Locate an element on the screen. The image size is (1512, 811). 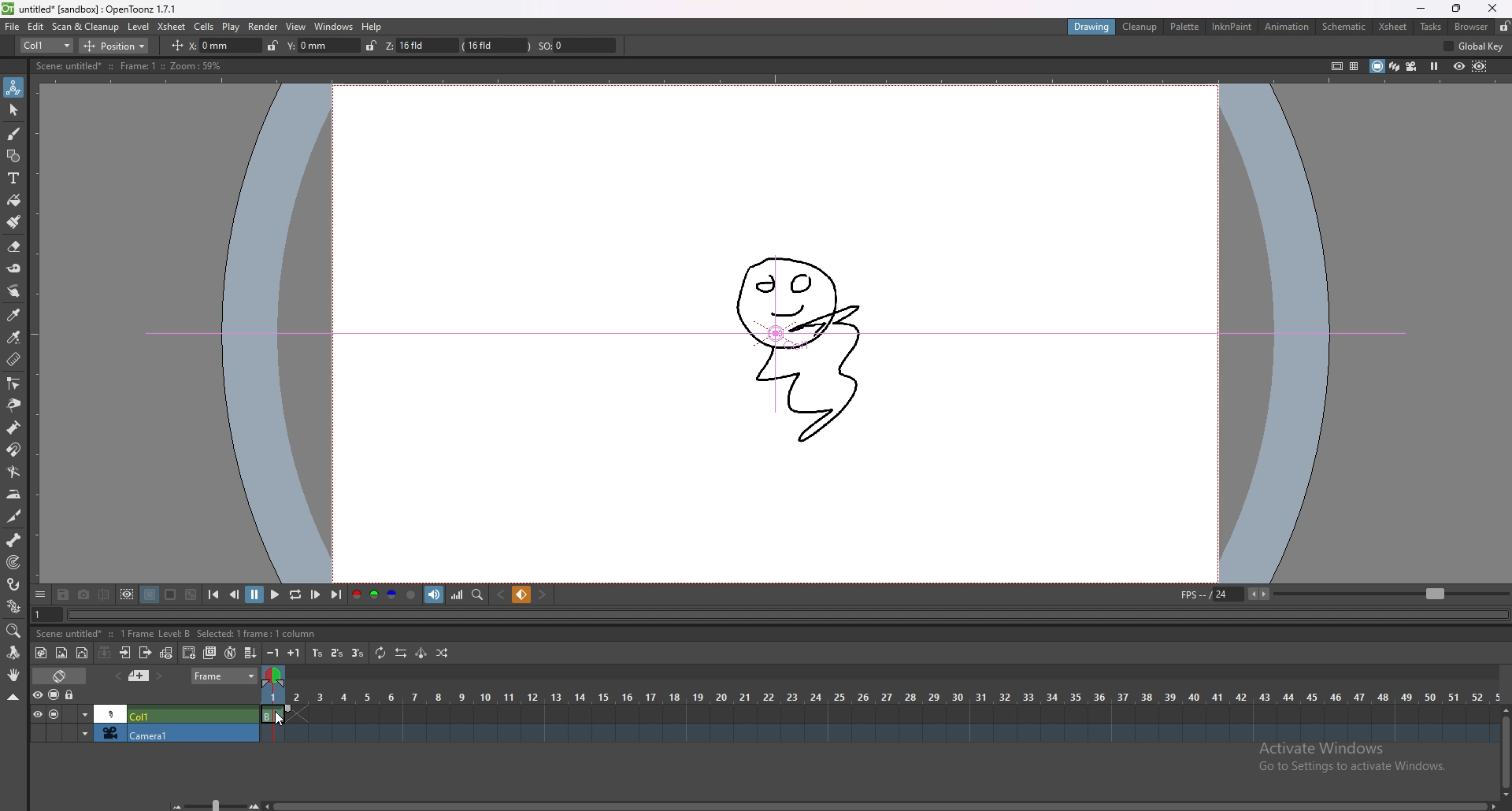
skeleton is located at coordinates (15, 539).